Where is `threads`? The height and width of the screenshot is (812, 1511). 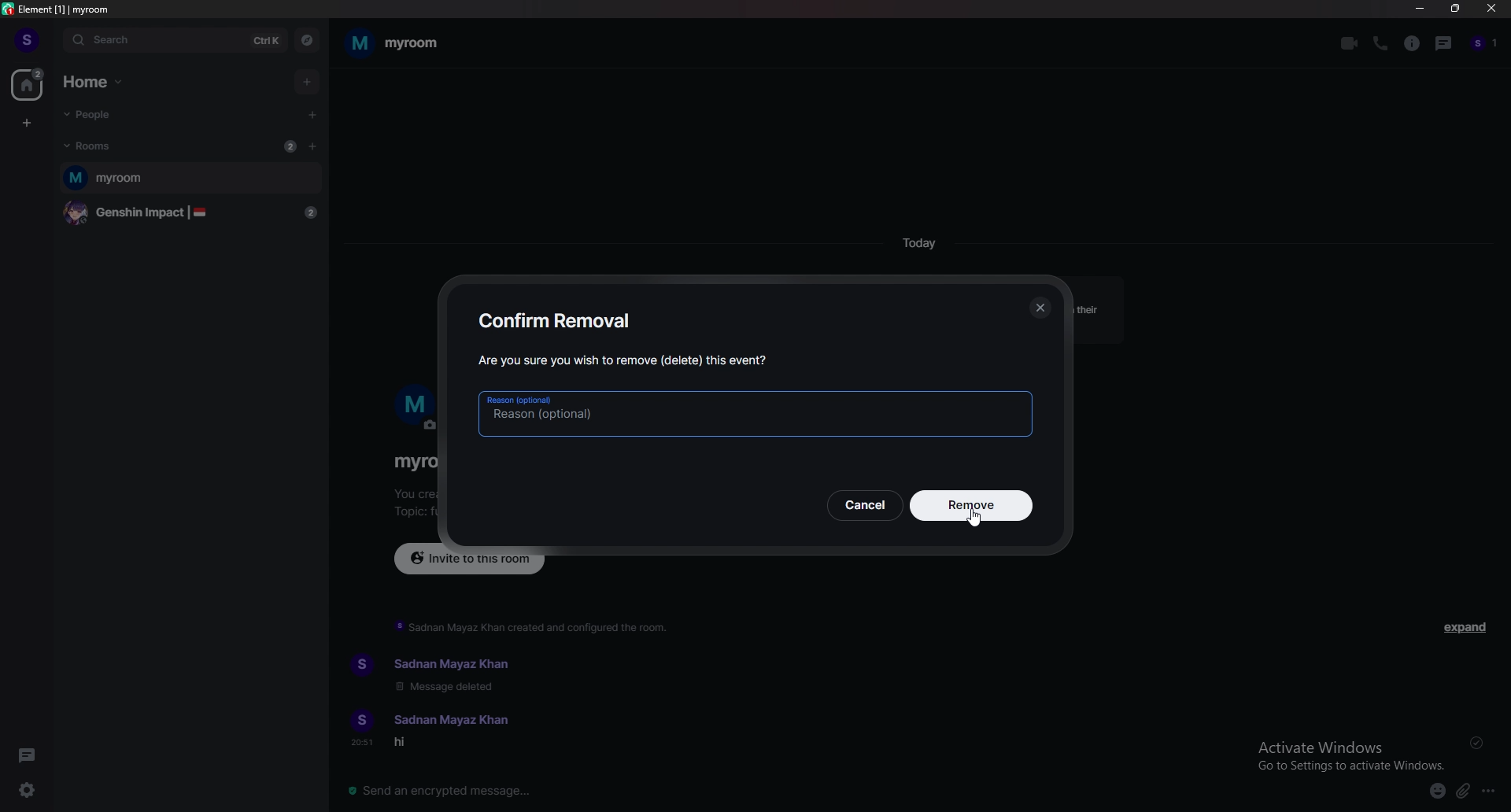
threads is located at coordinates (31, 755).